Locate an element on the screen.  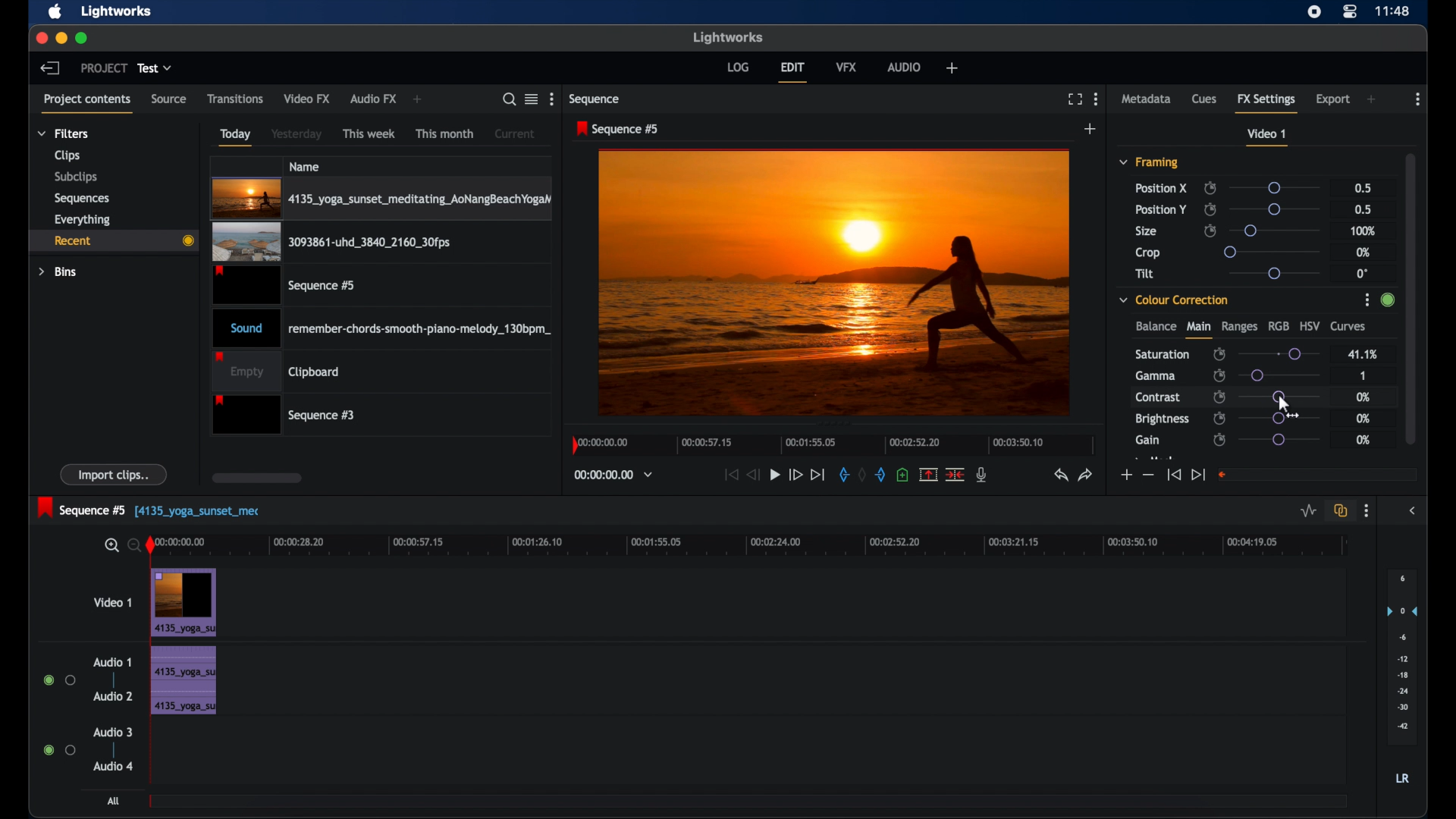
enable/disable keyframes is located at coordinates (1210, 209).